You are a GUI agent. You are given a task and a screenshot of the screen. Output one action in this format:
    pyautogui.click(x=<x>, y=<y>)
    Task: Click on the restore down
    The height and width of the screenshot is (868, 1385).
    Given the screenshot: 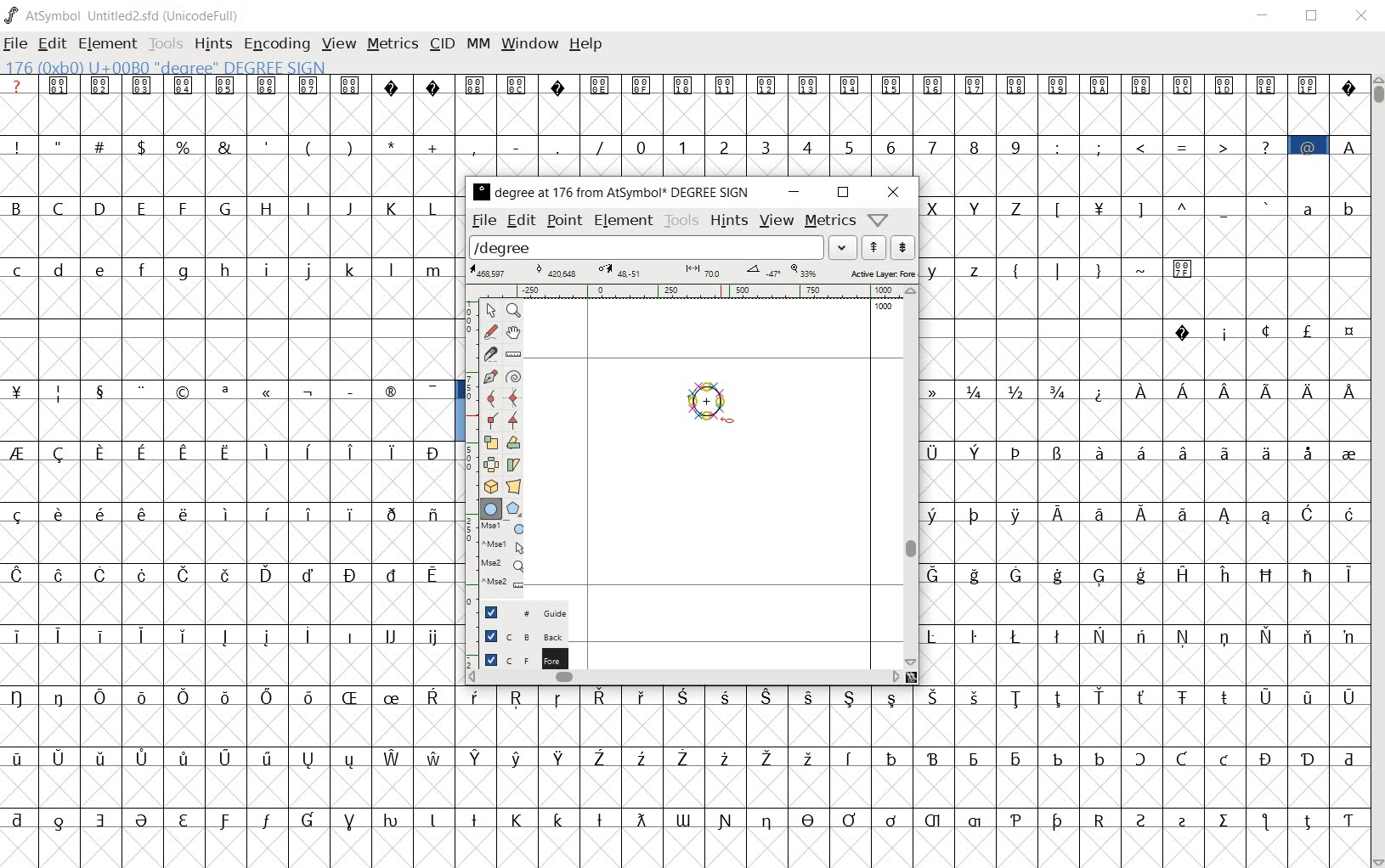 What is the action you would take?
    pyautogui.click(x=1314, y=16)
    